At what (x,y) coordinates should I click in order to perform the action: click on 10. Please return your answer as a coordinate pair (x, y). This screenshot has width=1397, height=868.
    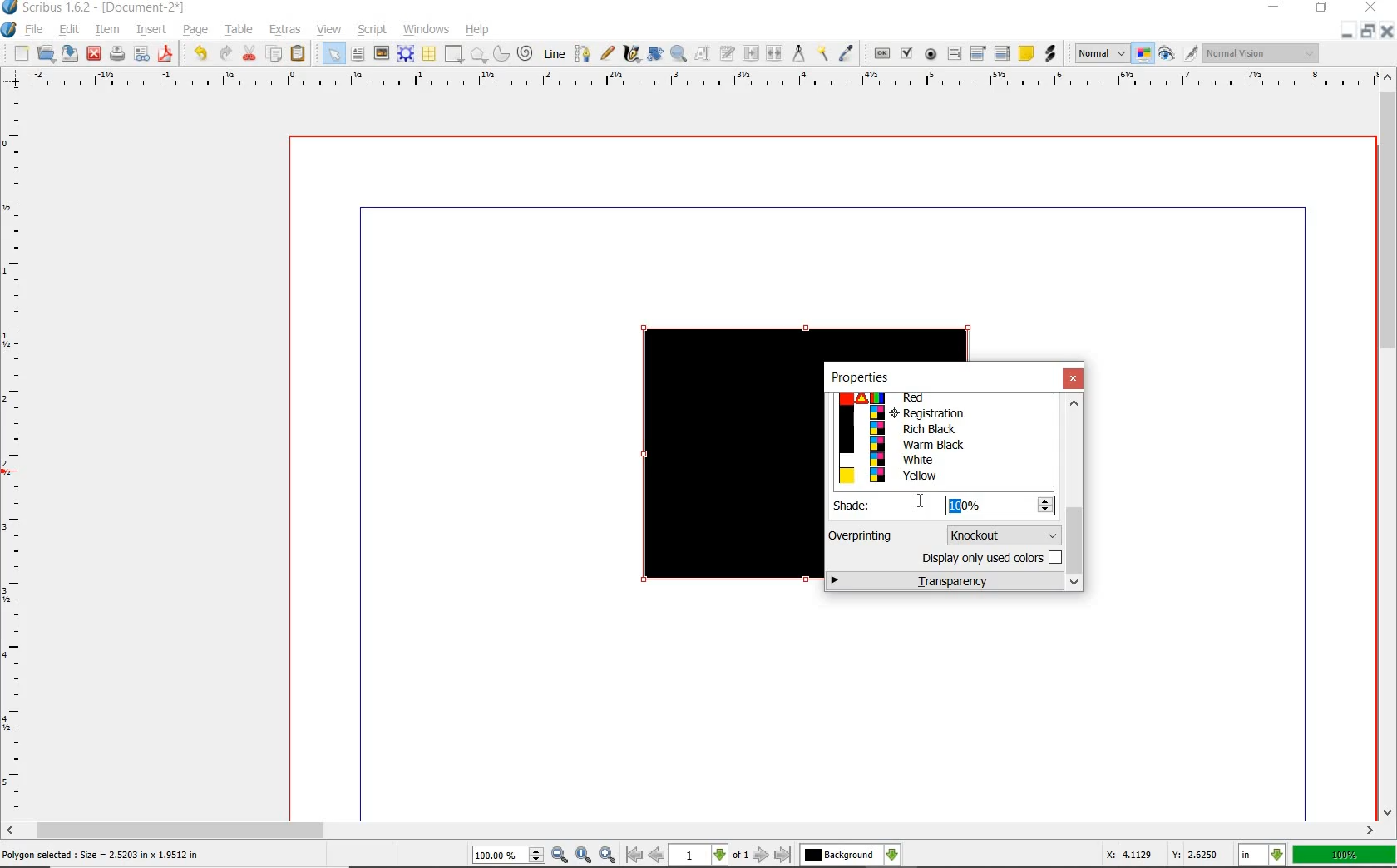
    Looking at the image, I should click on (954, 506).